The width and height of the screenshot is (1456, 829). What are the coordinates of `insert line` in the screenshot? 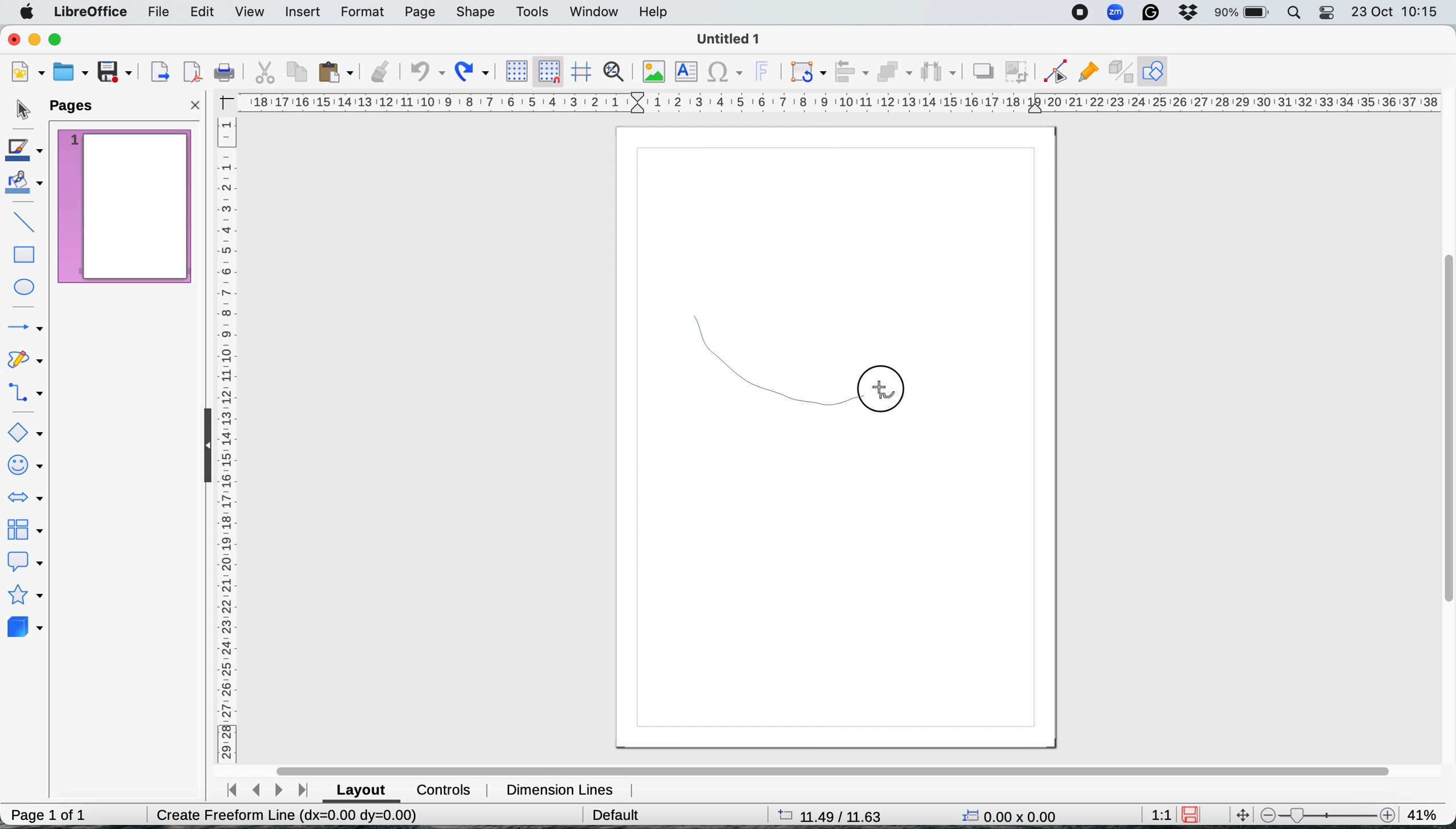 It's located at (25, 221).